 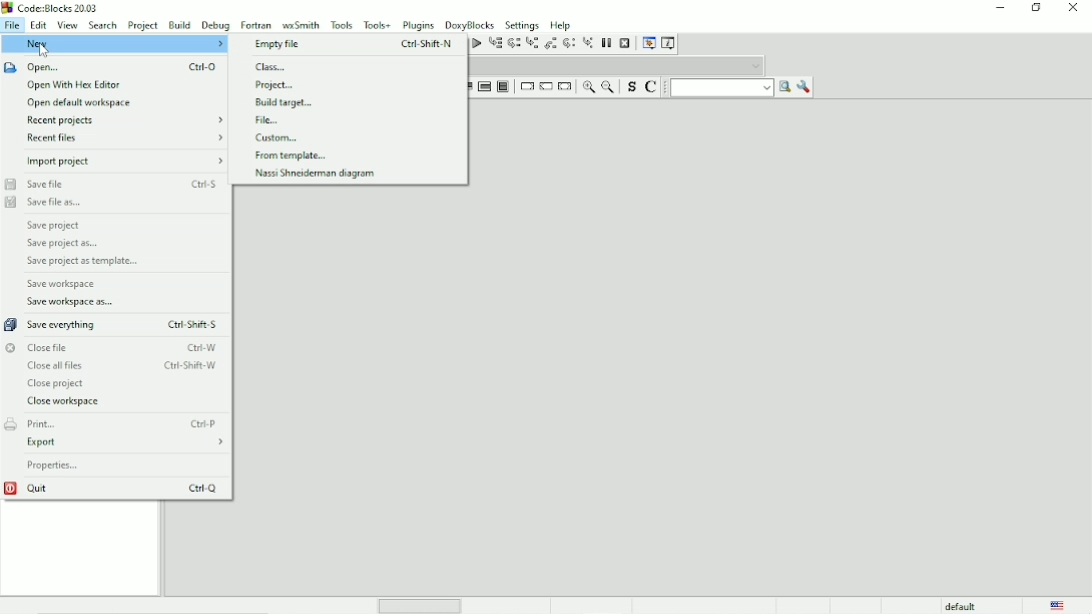 What do you see at coordinates (74, 85) in the screenshot?
I see `Open with hex editor` at bounding box center [74, 85].